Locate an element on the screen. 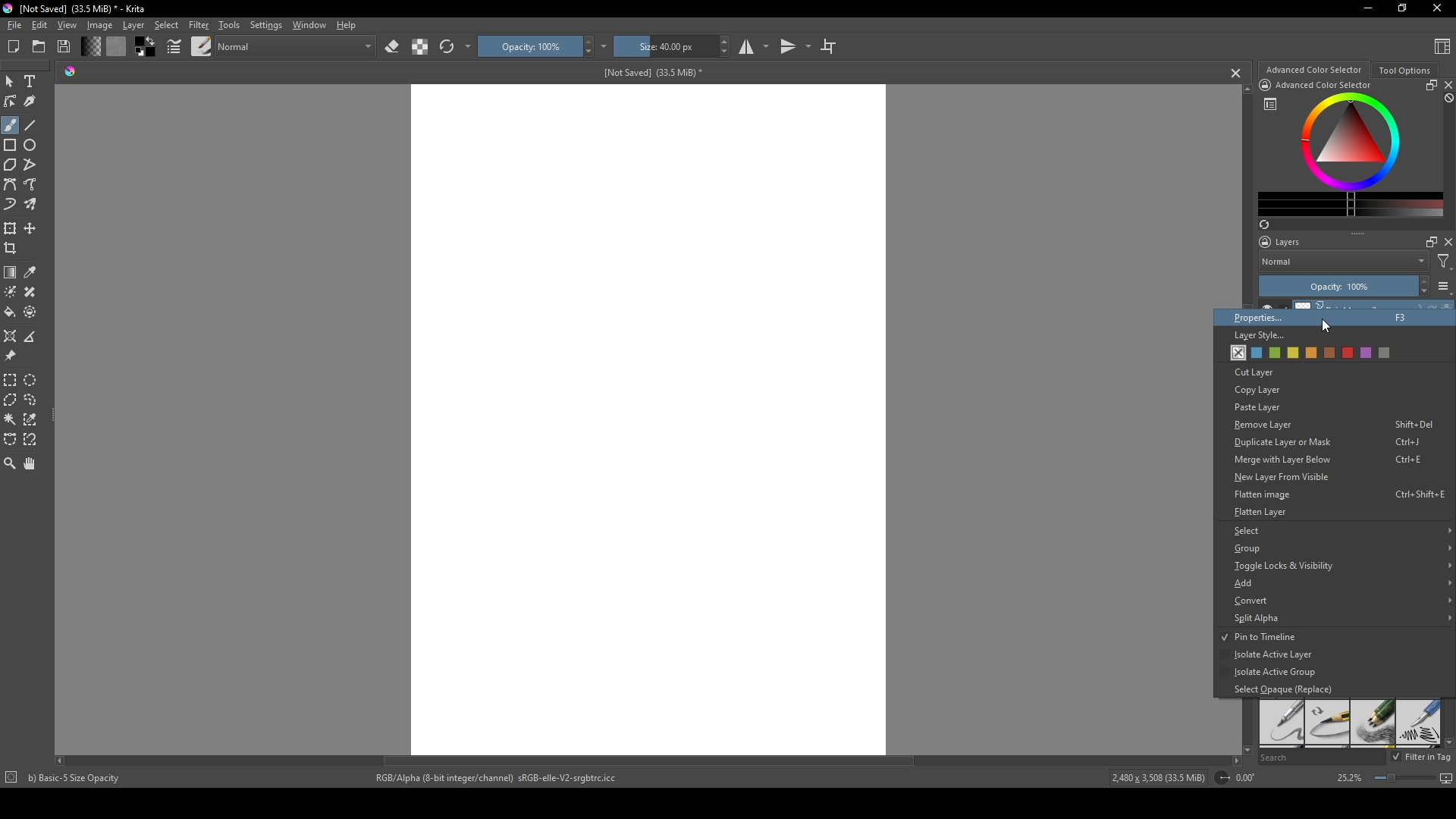 This screenshot has width=1456, height=819. Opacity is located at coordinates (529, 46).